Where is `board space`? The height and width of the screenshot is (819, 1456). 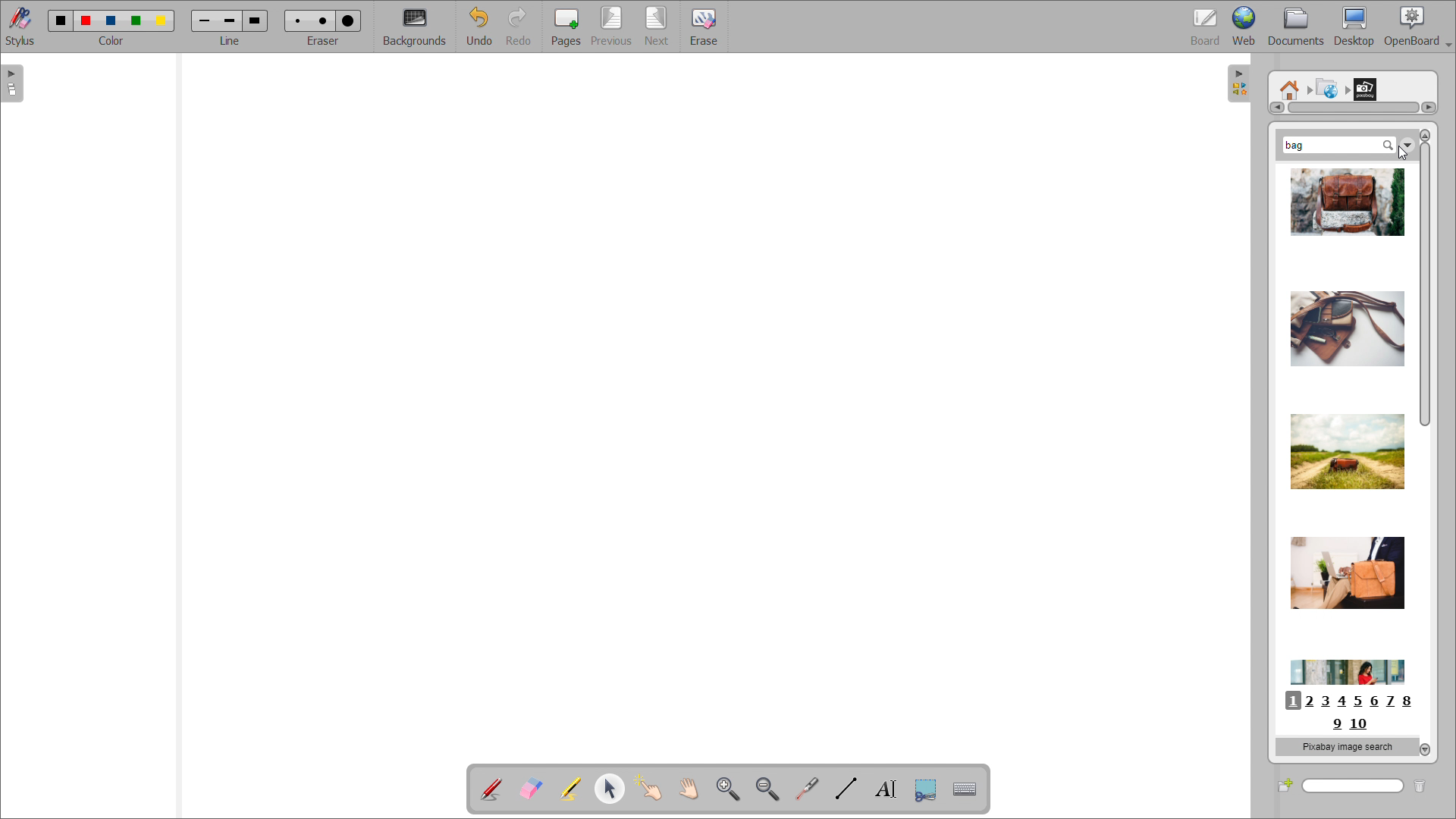 board space is located at coordinates (703, 400).